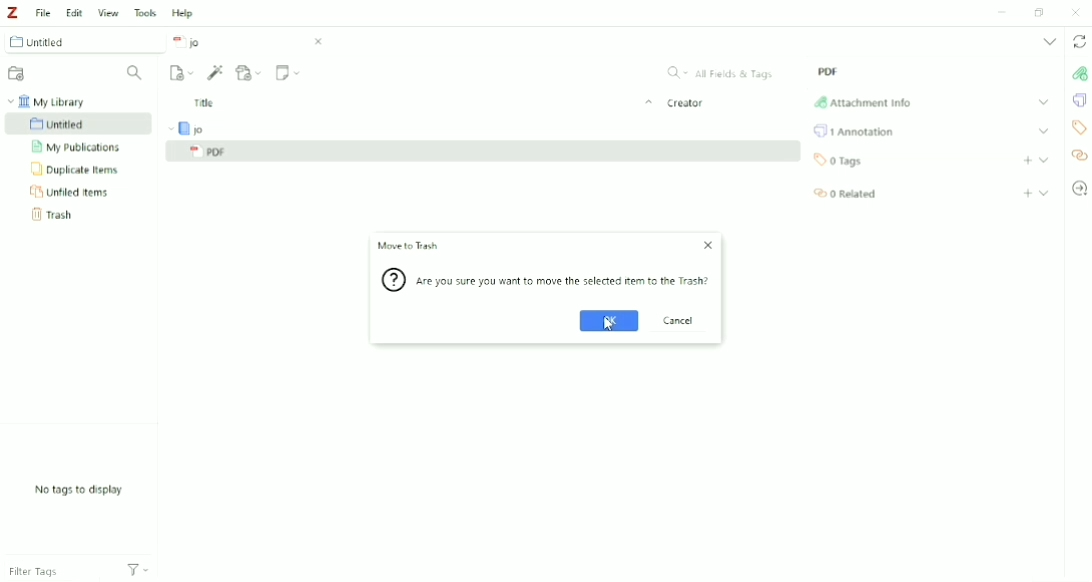  What do you see at coordinates (287, 73) in the screenshot?
I see `New Note` at bounding box center [287, 73].